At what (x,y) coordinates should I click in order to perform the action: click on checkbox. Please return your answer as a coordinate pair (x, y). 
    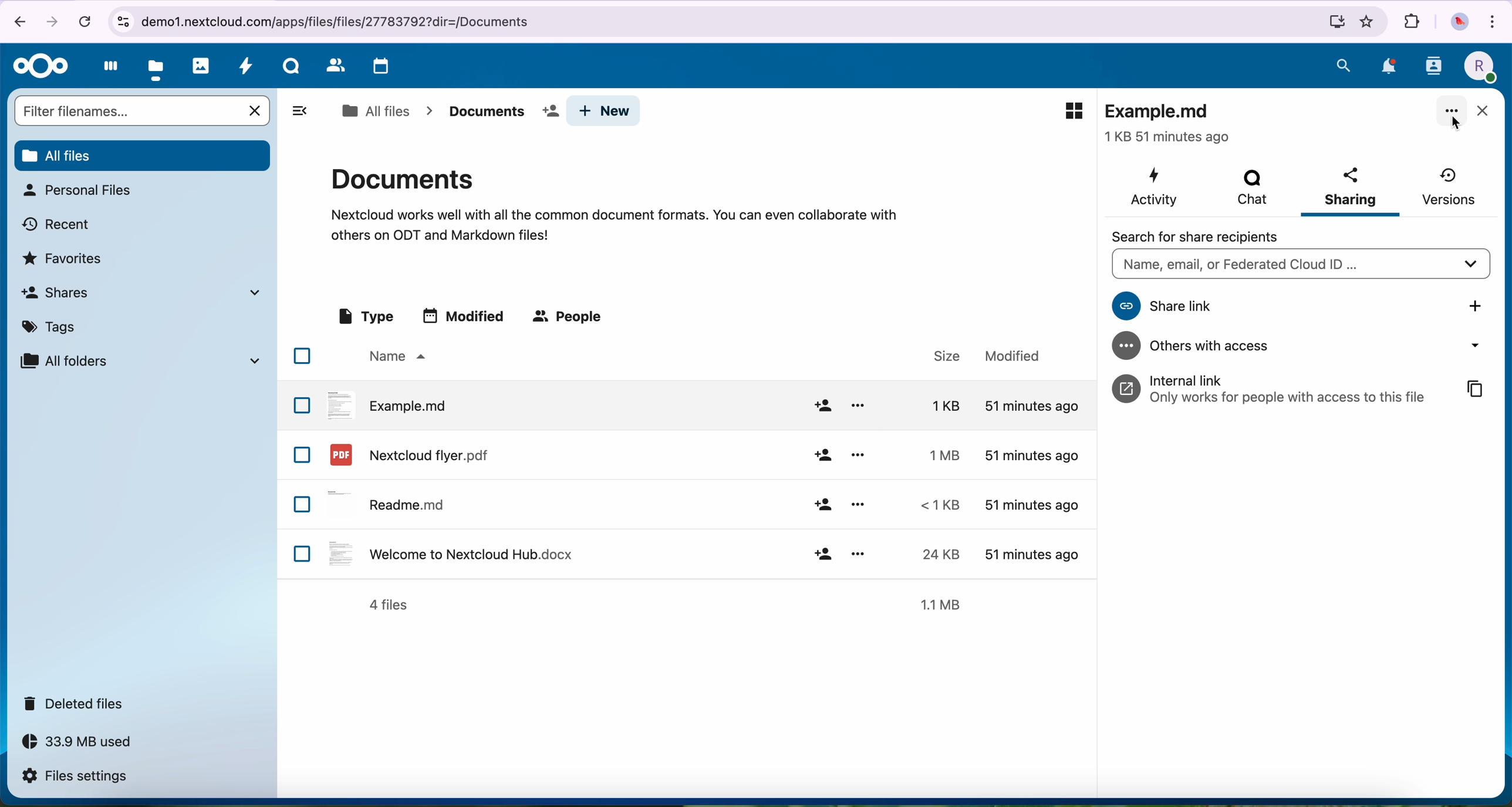
    Looking at the image, I should click on (302, 356).